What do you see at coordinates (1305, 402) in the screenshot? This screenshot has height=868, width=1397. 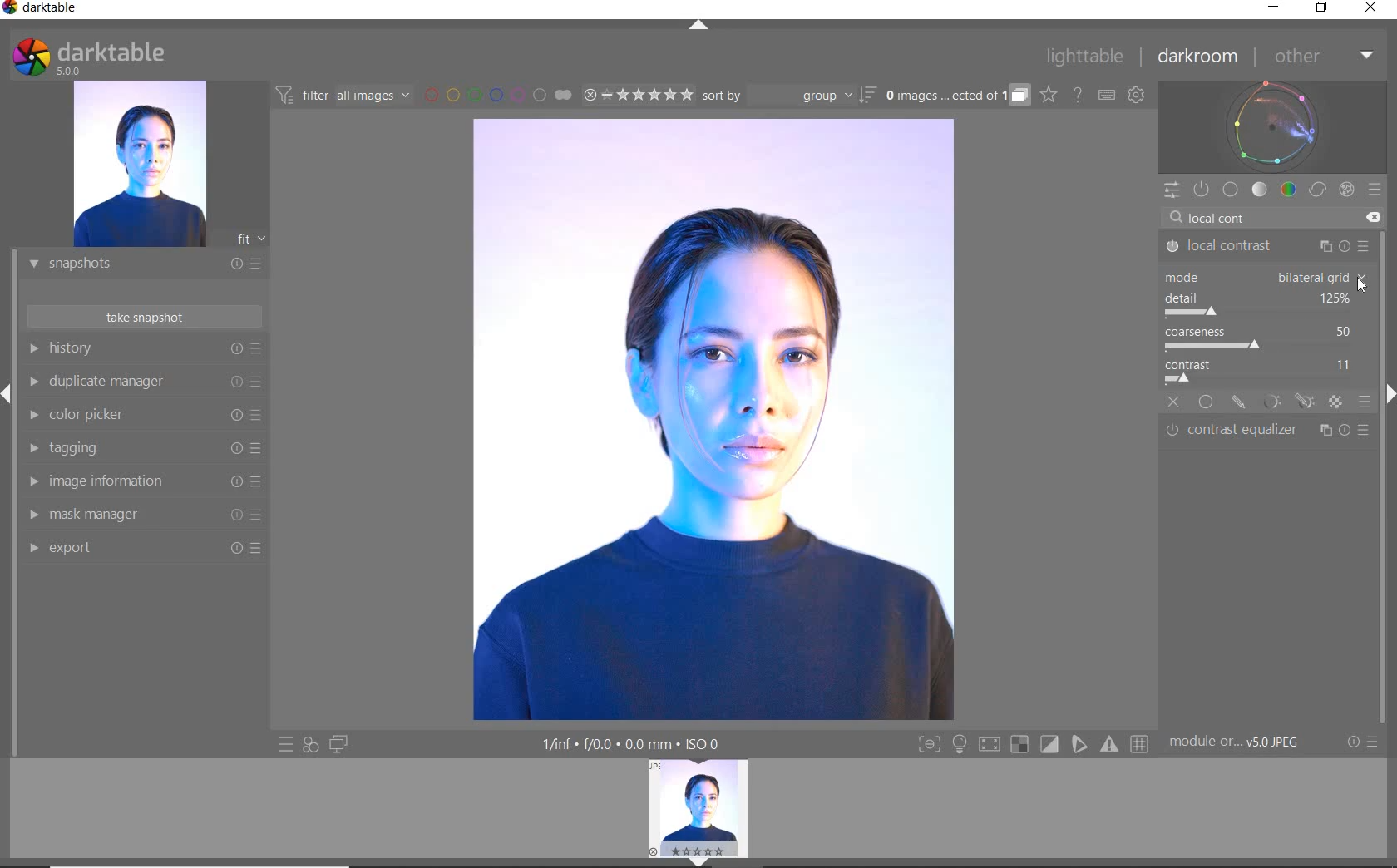 I see `MASK OPTION` at bounding box center [1305, 402].